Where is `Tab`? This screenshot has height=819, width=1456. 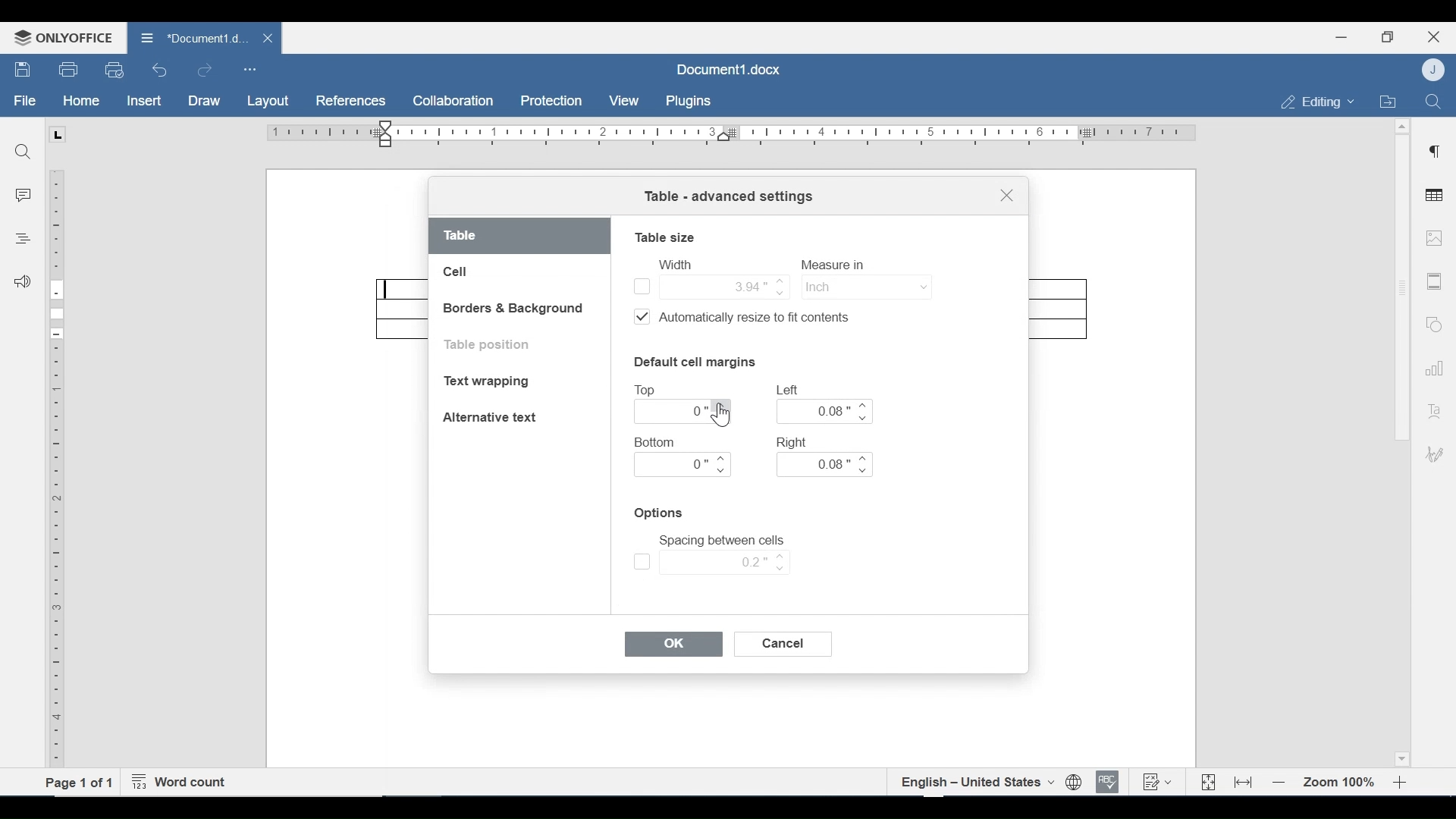 Tab is located at coordinates (57, 134).